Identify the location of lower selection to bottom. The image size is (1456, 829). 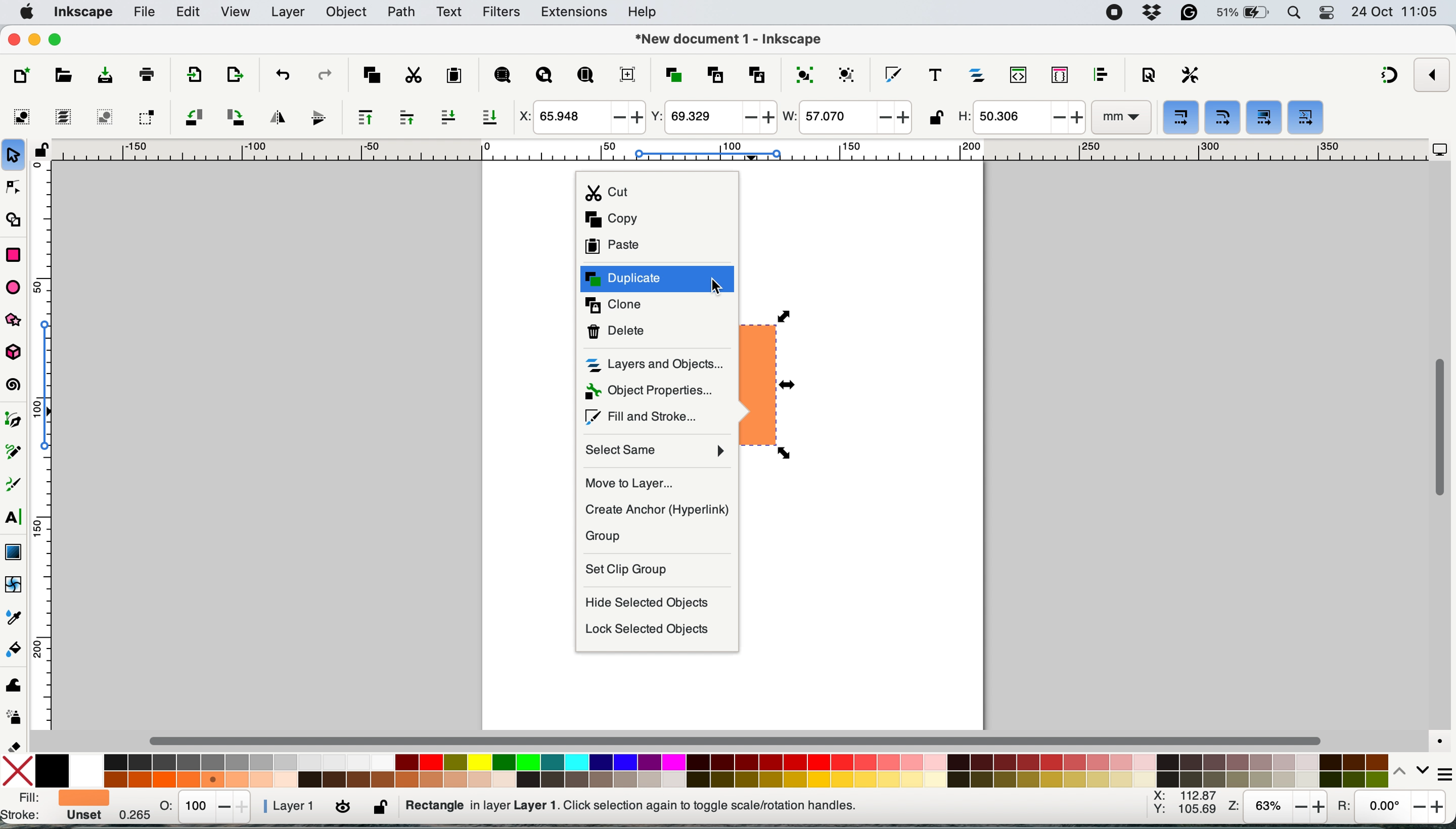
(493, 118).